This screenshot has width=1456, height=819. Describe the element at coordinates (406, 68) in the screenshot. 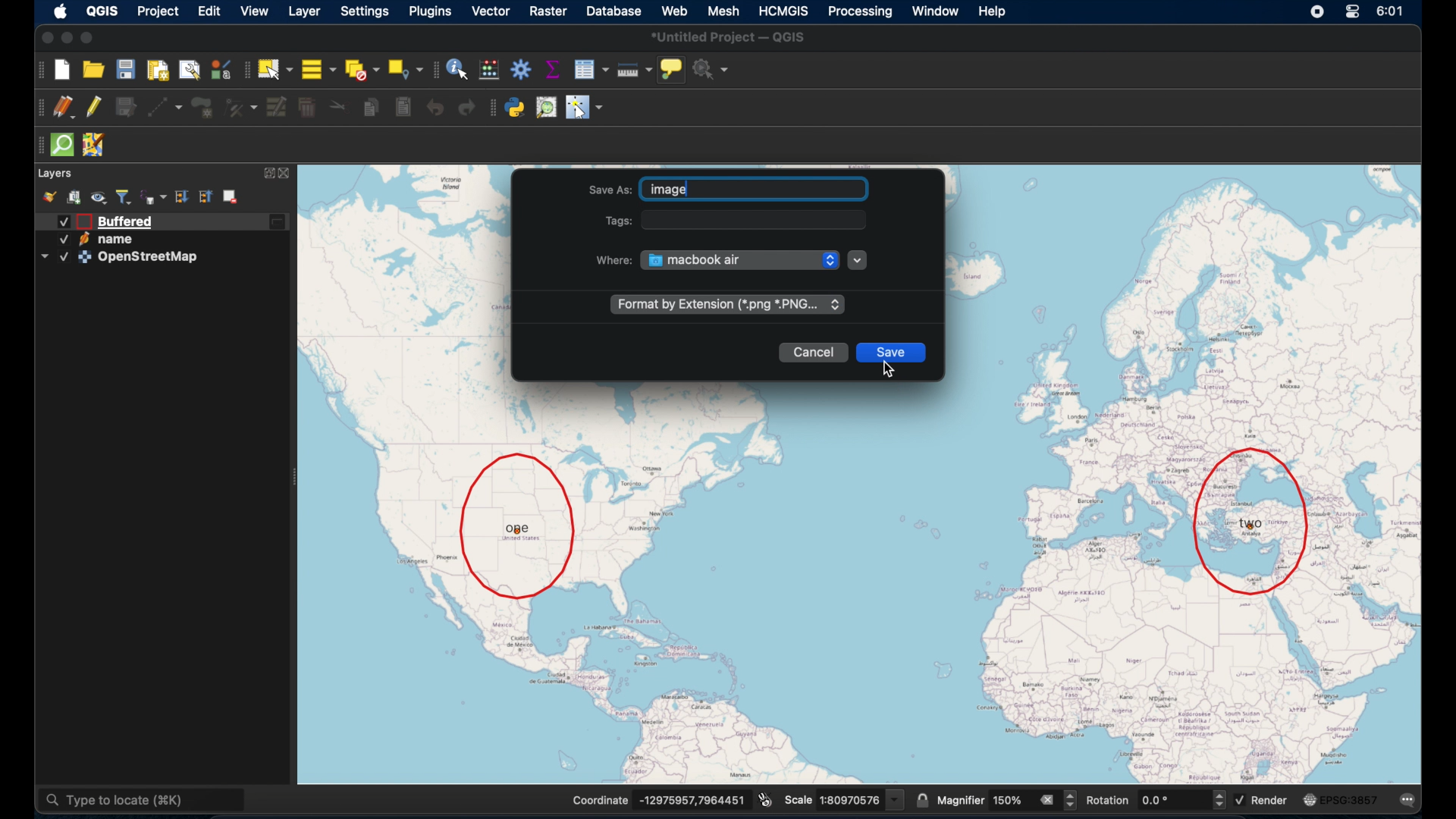

I see `select by location` at that location.